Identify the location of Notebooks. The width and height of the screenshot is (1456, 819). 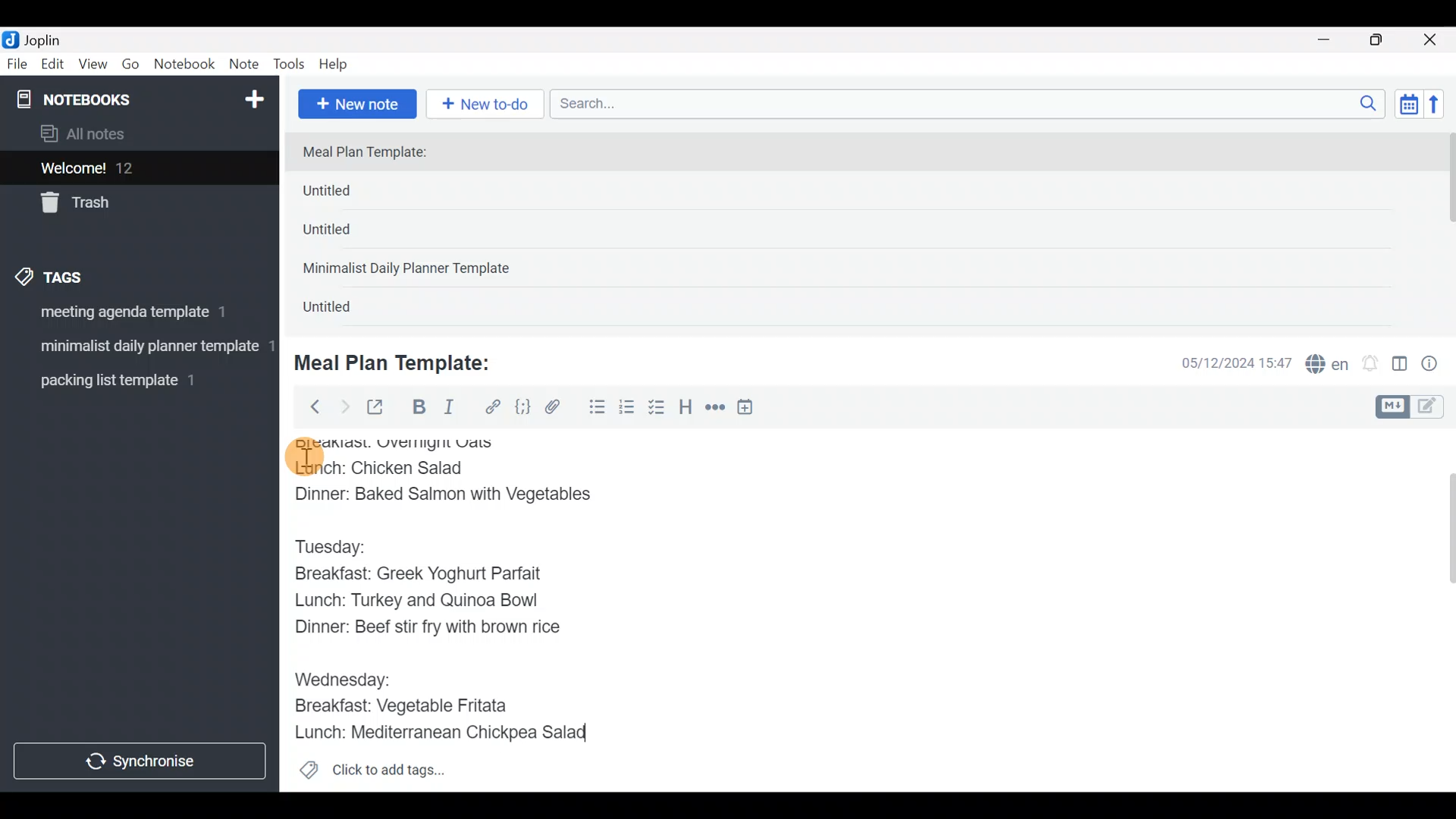
(107, 99).